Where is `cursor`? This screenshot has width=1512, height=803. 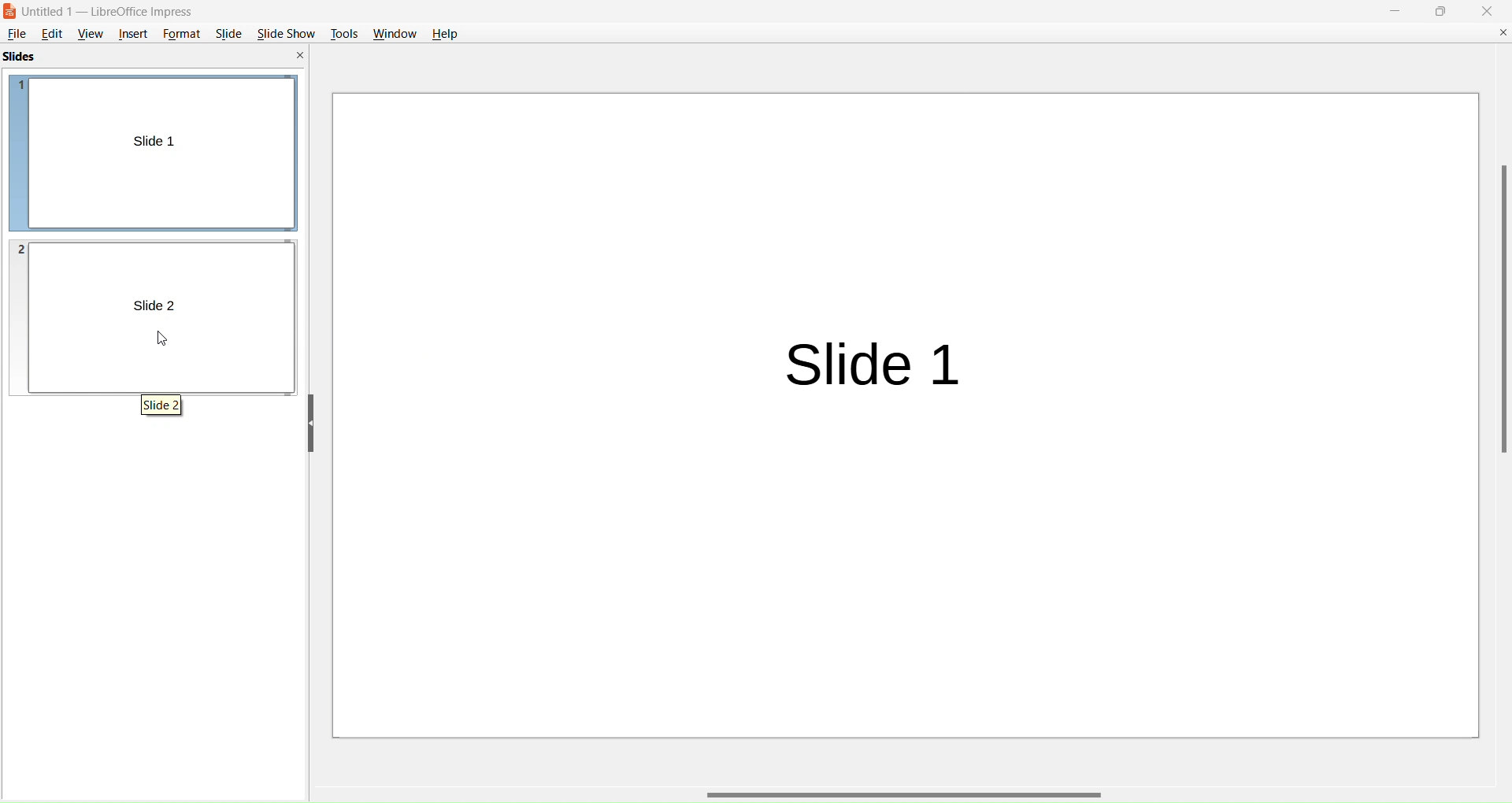
cursor is located at coordinates (167, 342).